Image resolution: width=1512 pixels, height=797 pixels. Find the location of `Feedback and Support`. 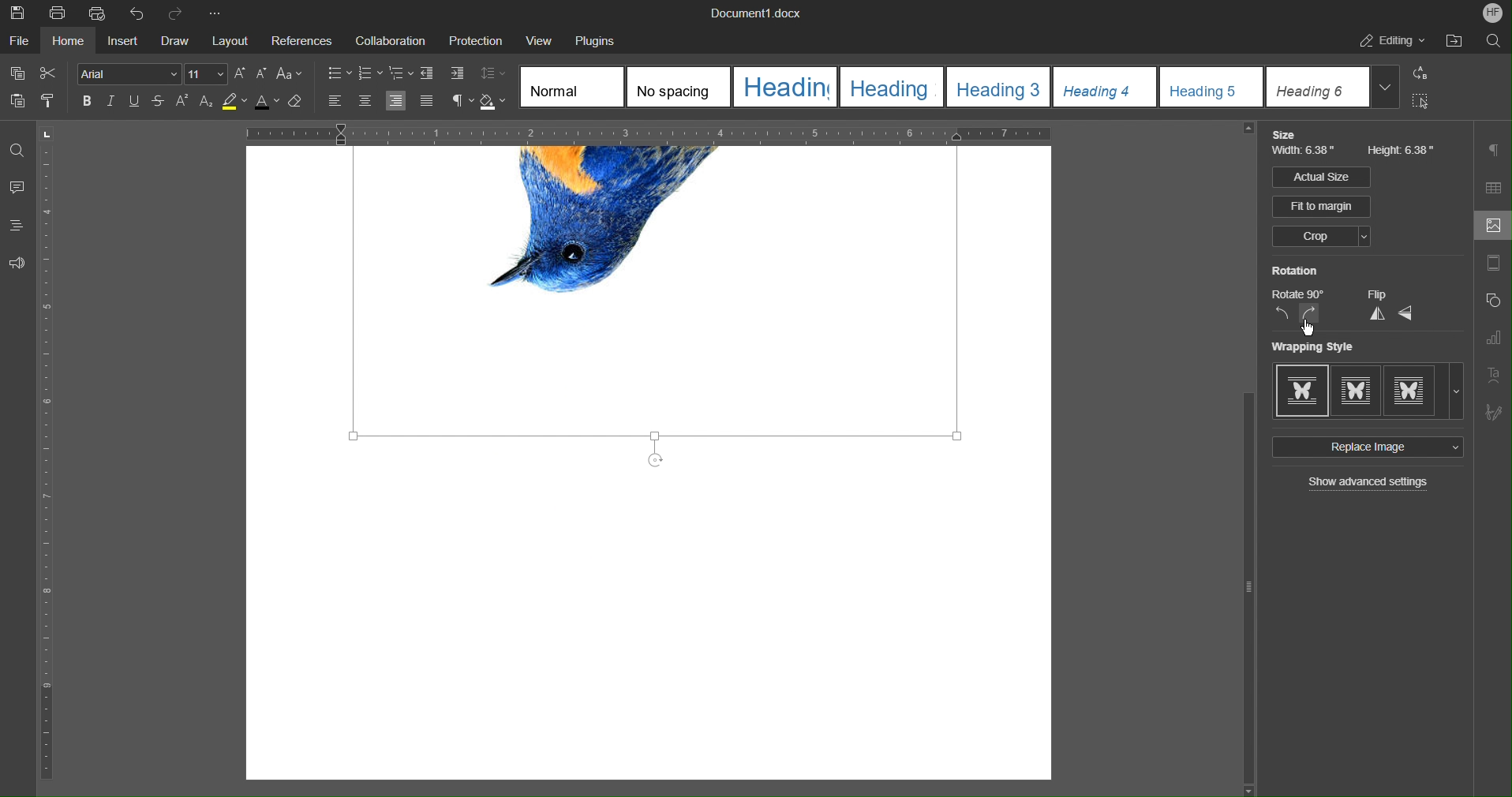

Feedback and Support is located at coordinates (16, 262).